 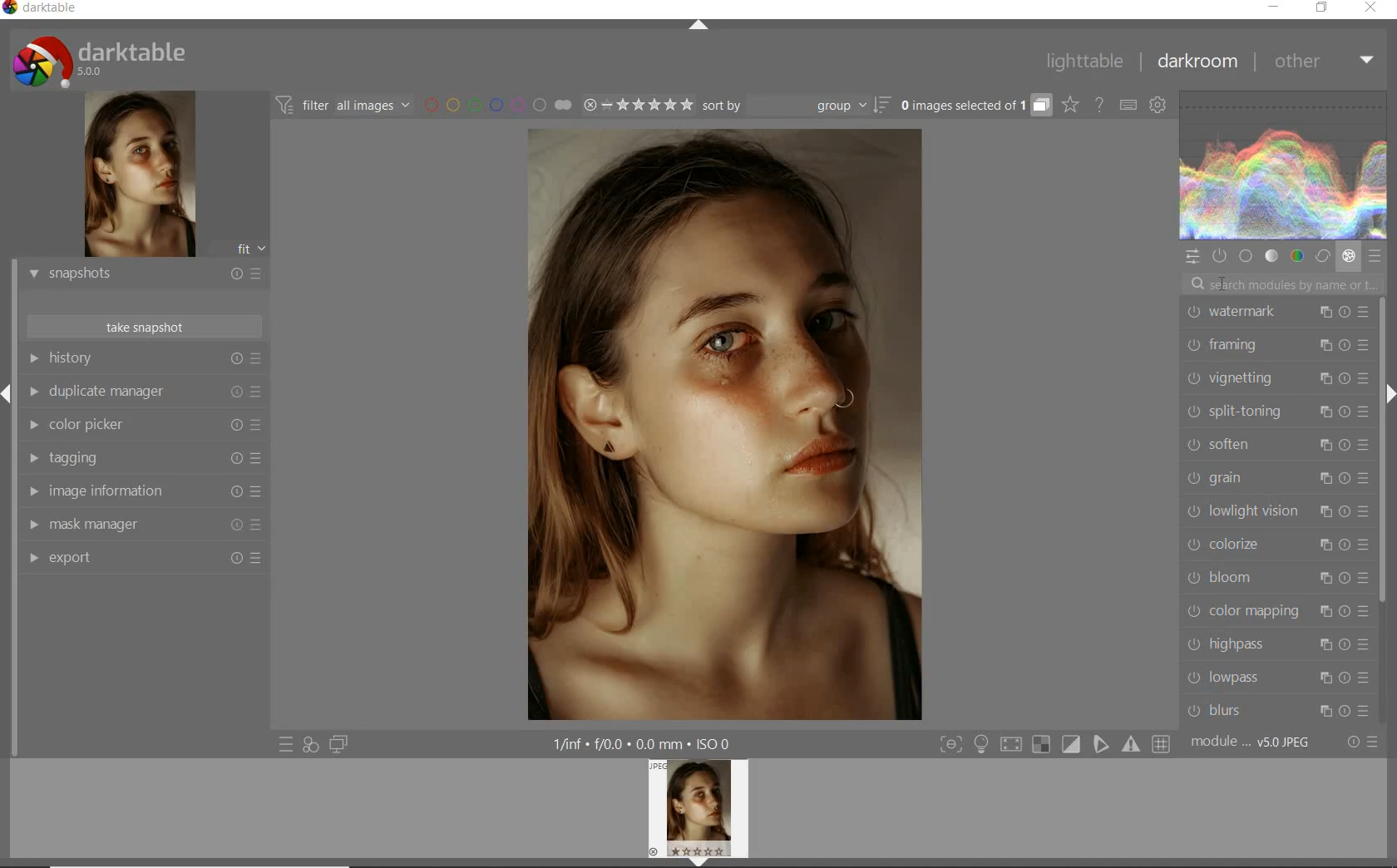 I want to click on duplicate manager, so click(x=143, y=392).